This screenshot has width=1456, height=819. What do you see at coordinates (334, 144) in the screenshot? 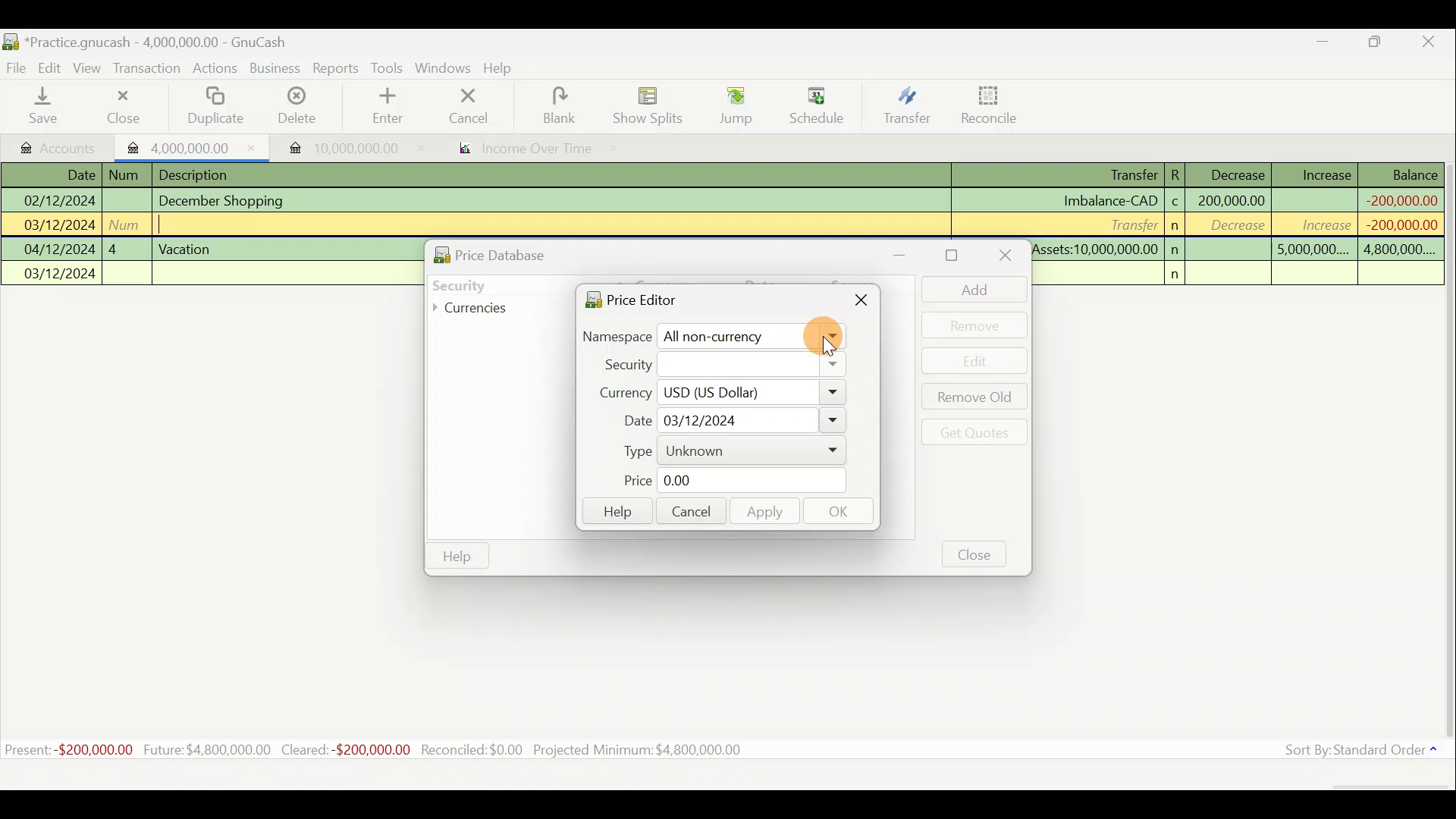
I see `Imported transaction` at bounding box center [334, 144].